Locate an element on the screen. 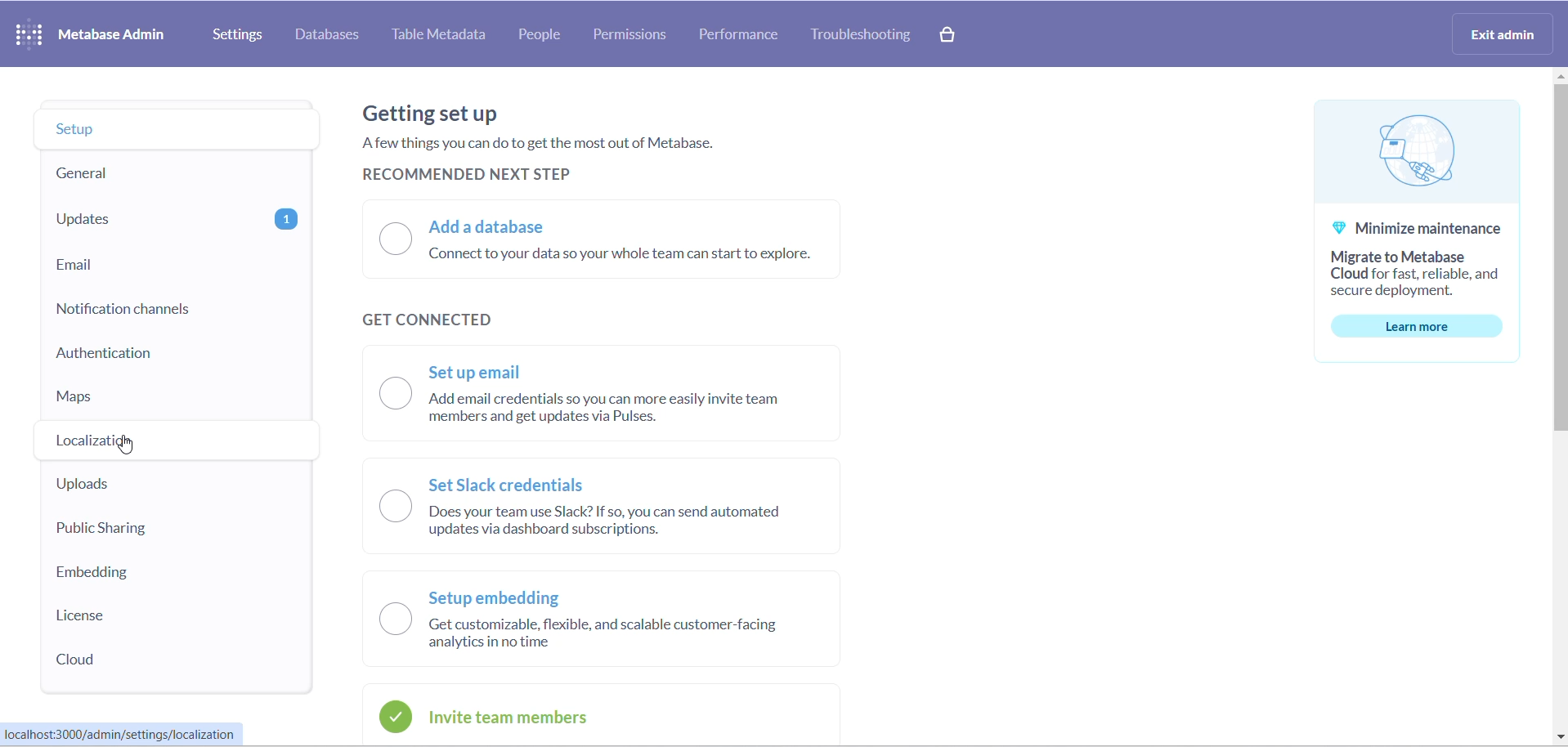 The image size is (1568, 747). PUBLIC SHARING is located at coordinates (154, 530).